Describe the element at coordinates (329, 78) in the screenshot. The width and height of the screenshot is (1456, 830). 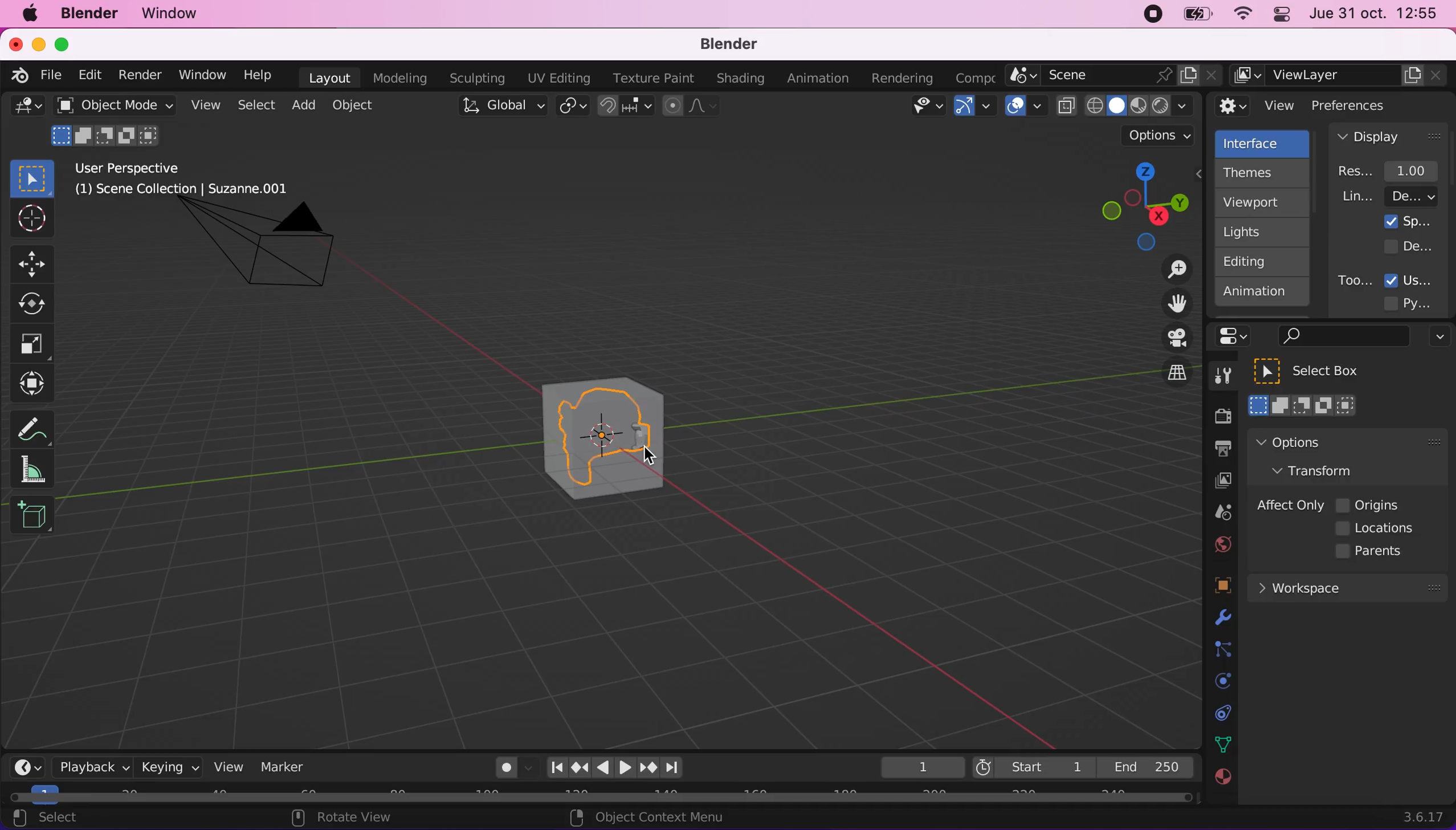
I see `layout` at that location.